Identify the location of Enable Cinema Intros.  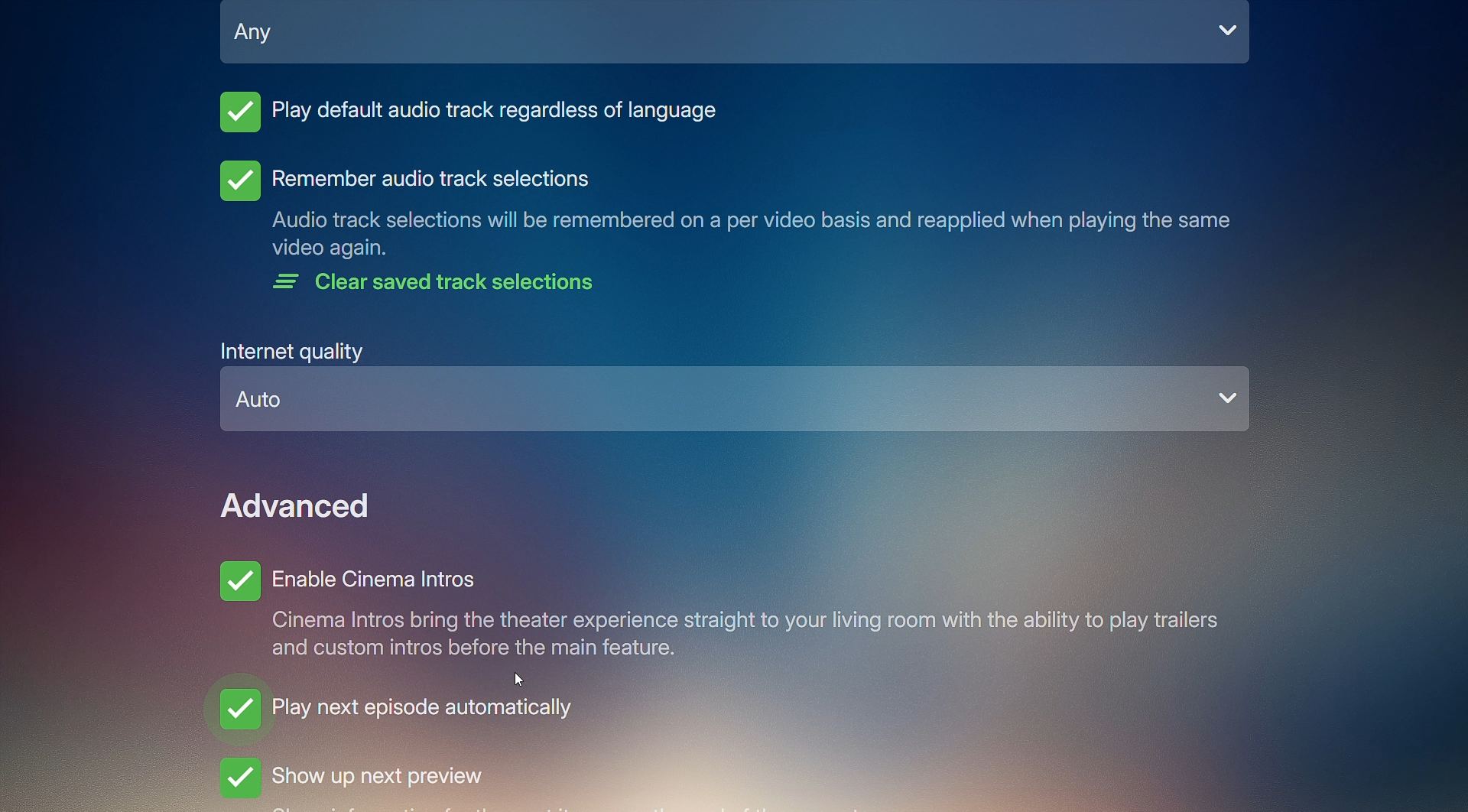
(718, 609).